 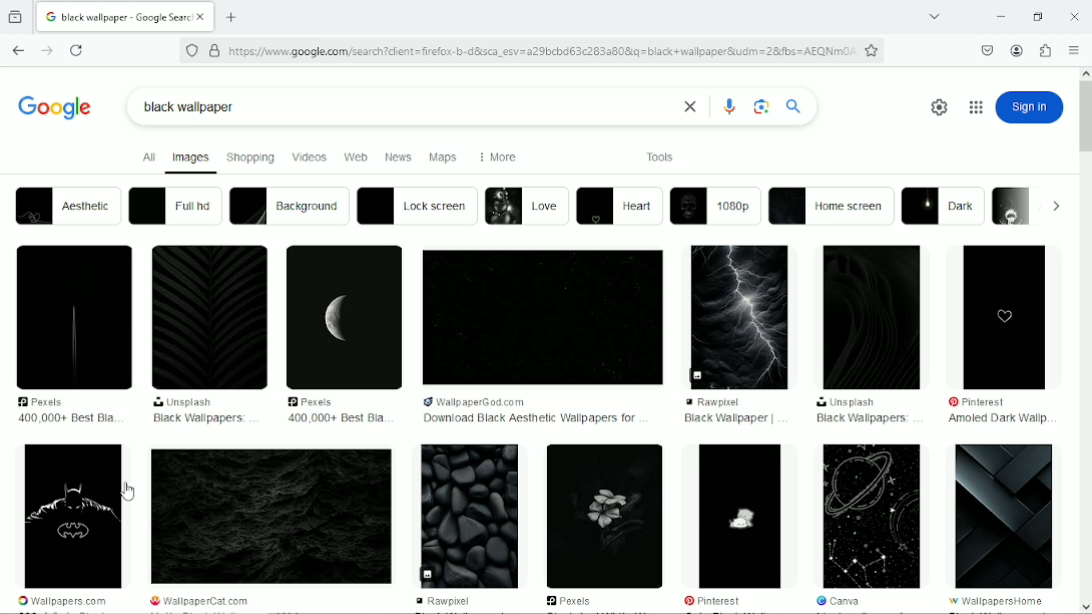 I want to click on pexels, so click(x=48, y=402).